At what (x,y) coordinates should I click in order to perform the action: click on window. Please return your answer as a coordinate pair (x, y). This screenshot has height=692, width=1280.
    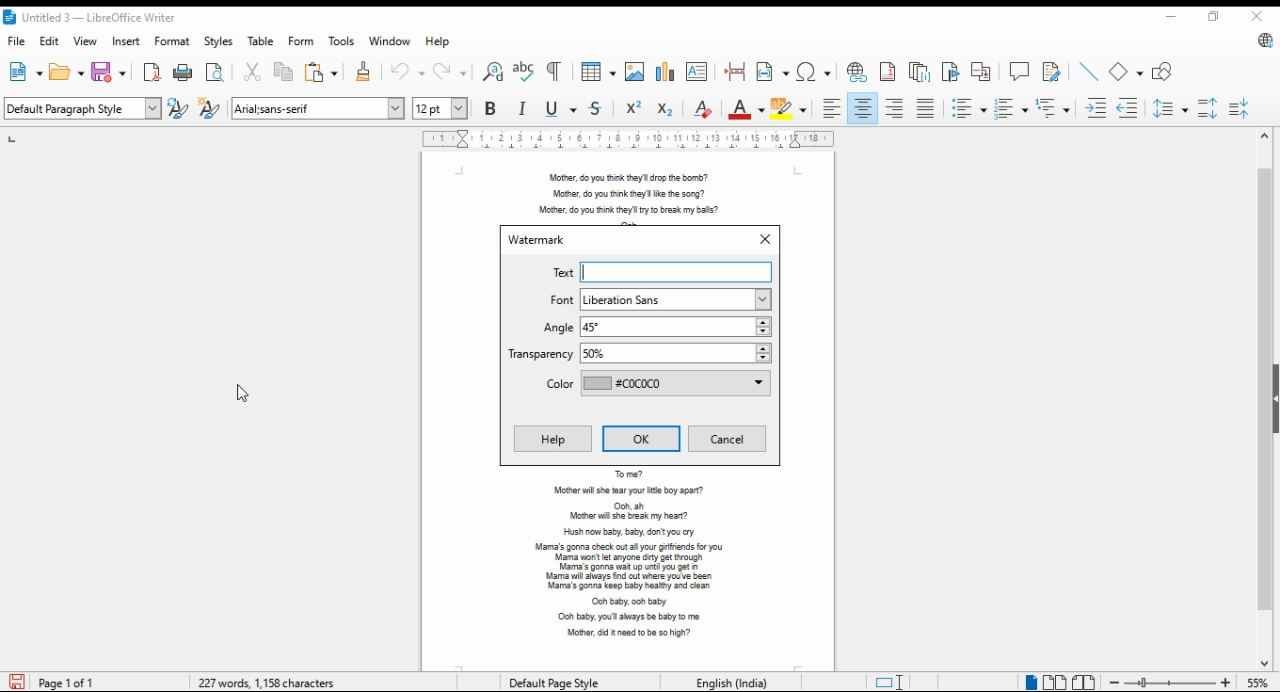
    Looking at the image, I should click on (390, 41).